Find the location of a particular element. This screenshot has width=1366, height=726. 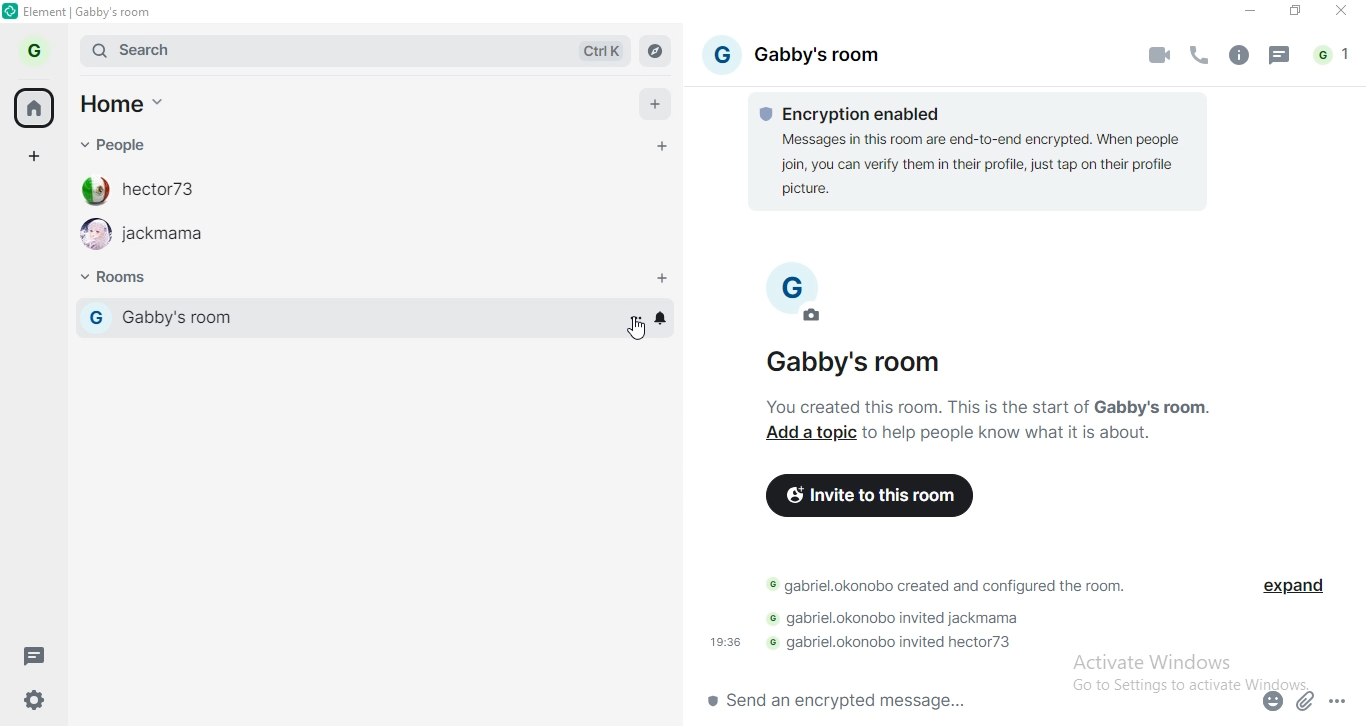

cursor is located at coordinates (637, 330).